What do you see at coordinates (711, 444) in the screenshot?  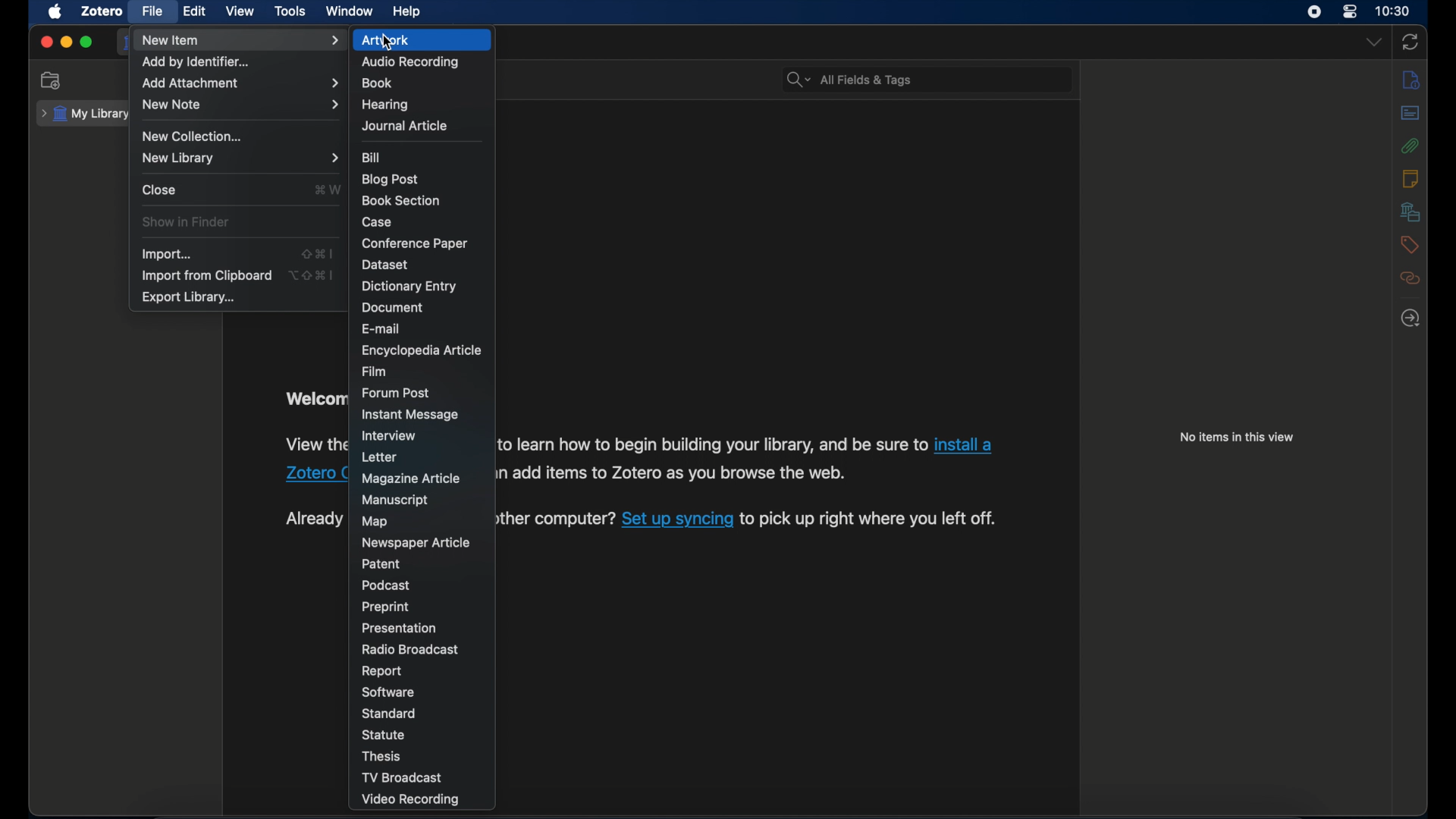 I see `to learn how` at bounding box center [711, 444].